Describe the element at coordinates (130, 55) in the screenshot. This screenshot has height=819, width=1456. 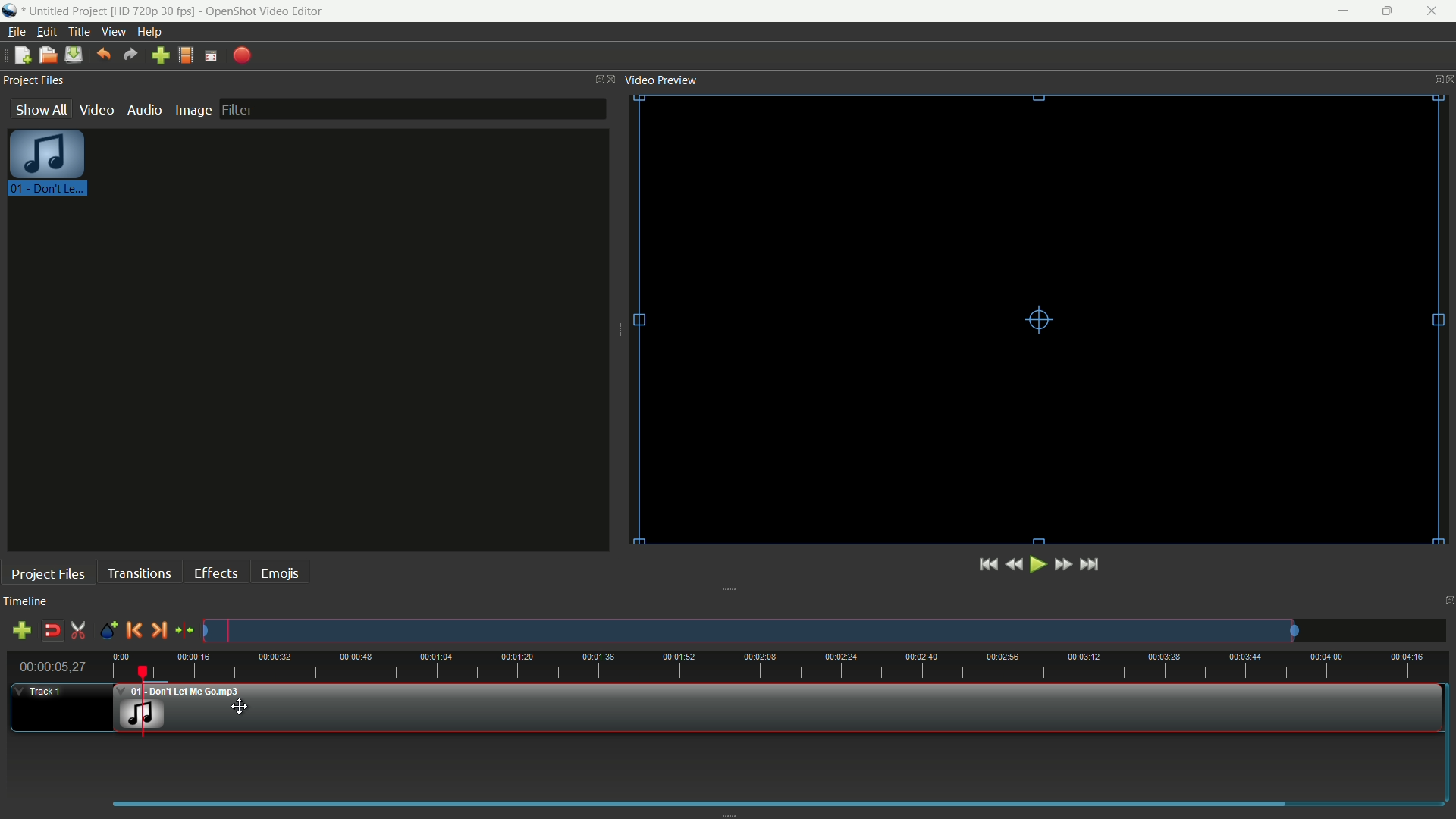
I see `redo` at that location.